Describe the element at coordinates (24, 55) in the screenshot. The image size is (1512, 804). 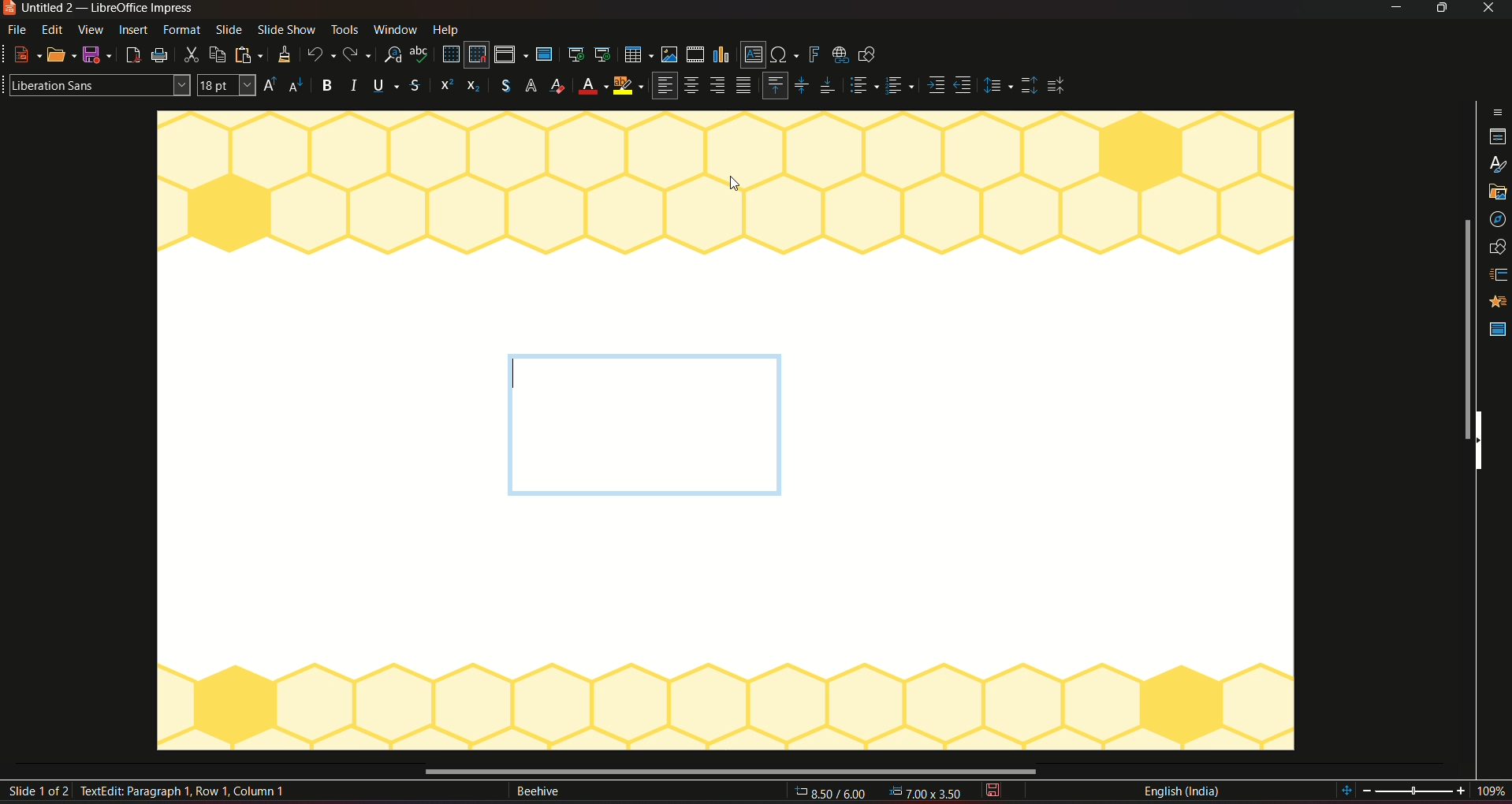
I see `new` at that location.